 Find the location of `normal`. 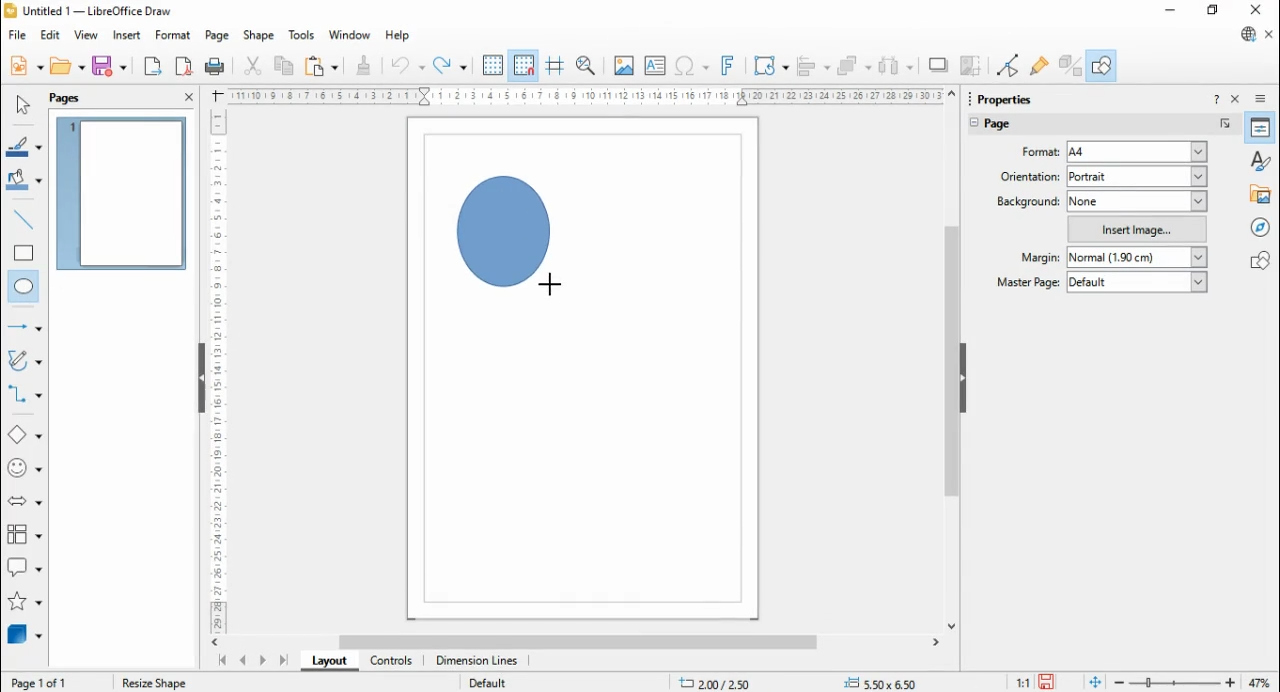

normal is located at coordinates (1137, 258).